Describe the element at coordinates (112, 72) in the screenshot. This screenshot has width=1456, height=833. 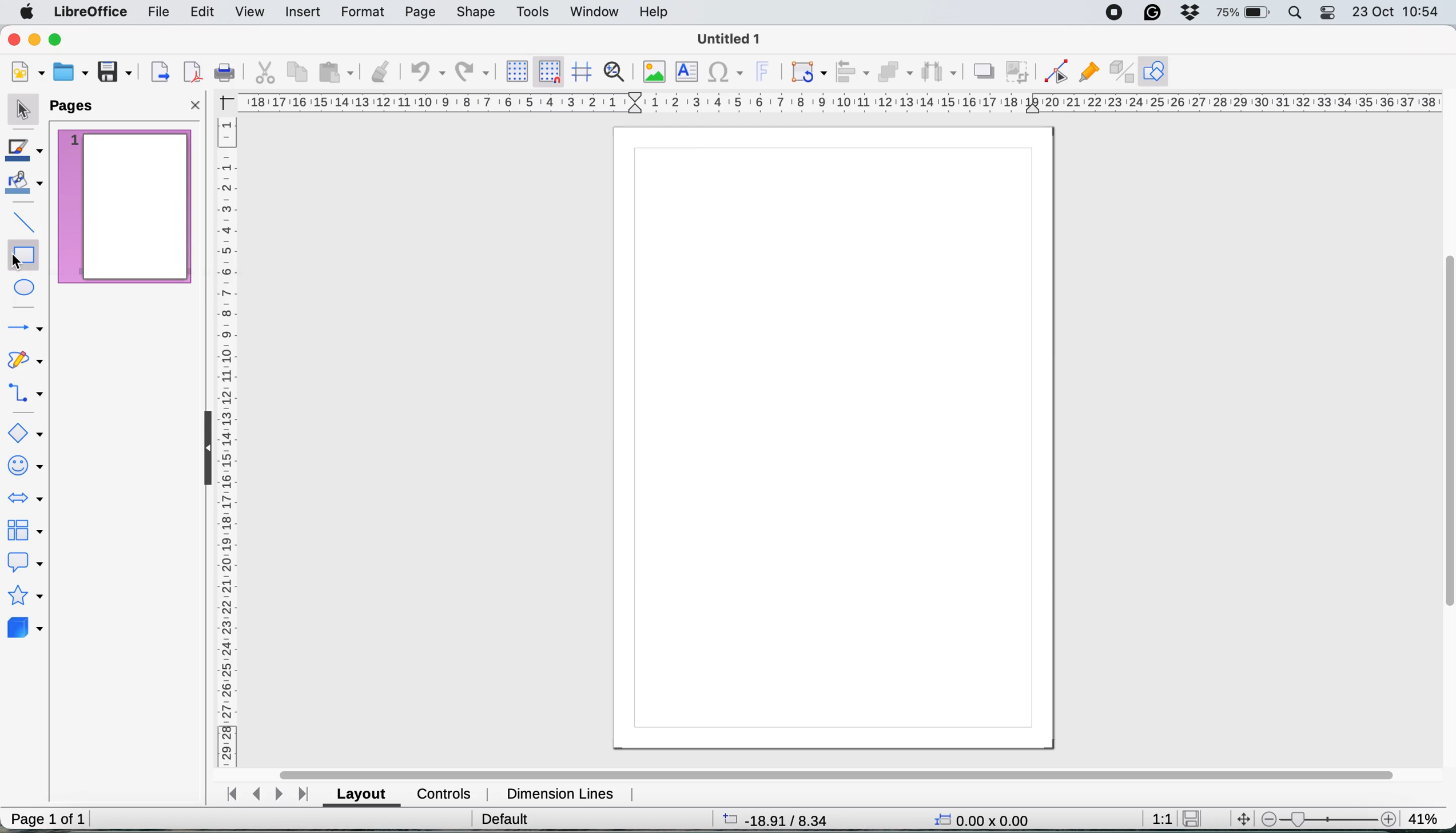
I see `save` at that location.